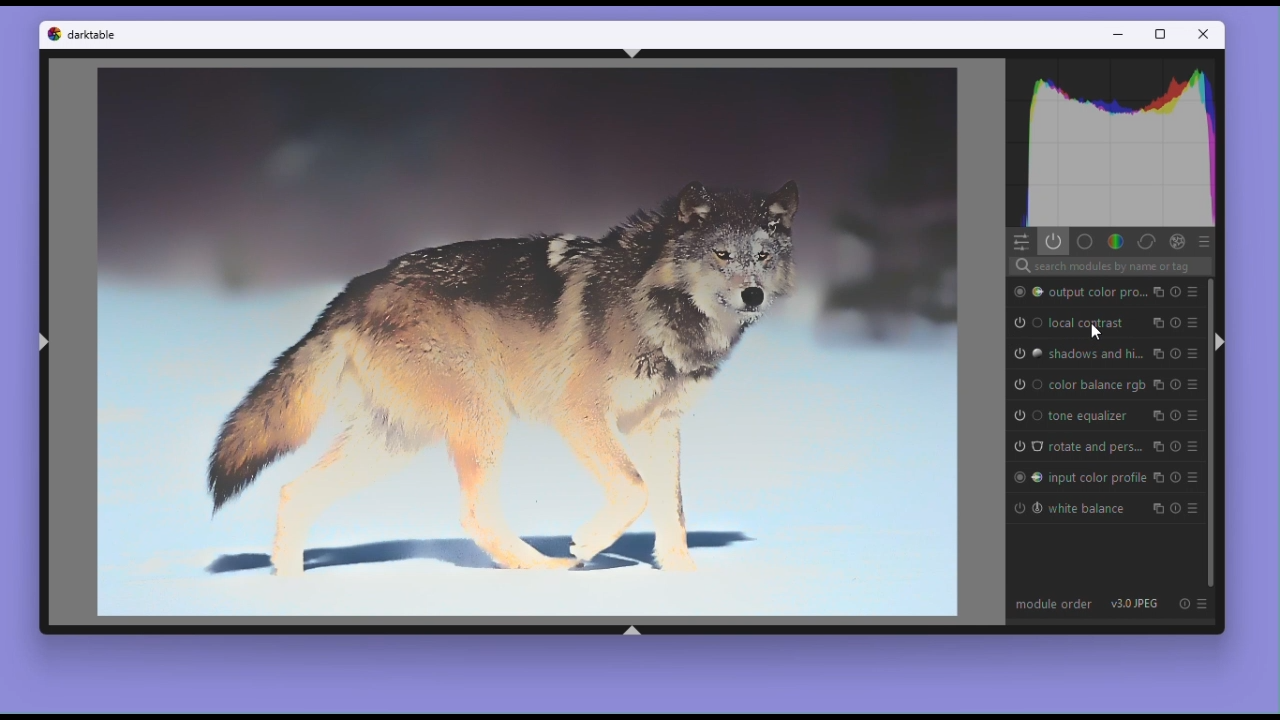  Describe the element at coordinates (1173, 354) in the screenshot. I see `reset parameters` at that location.